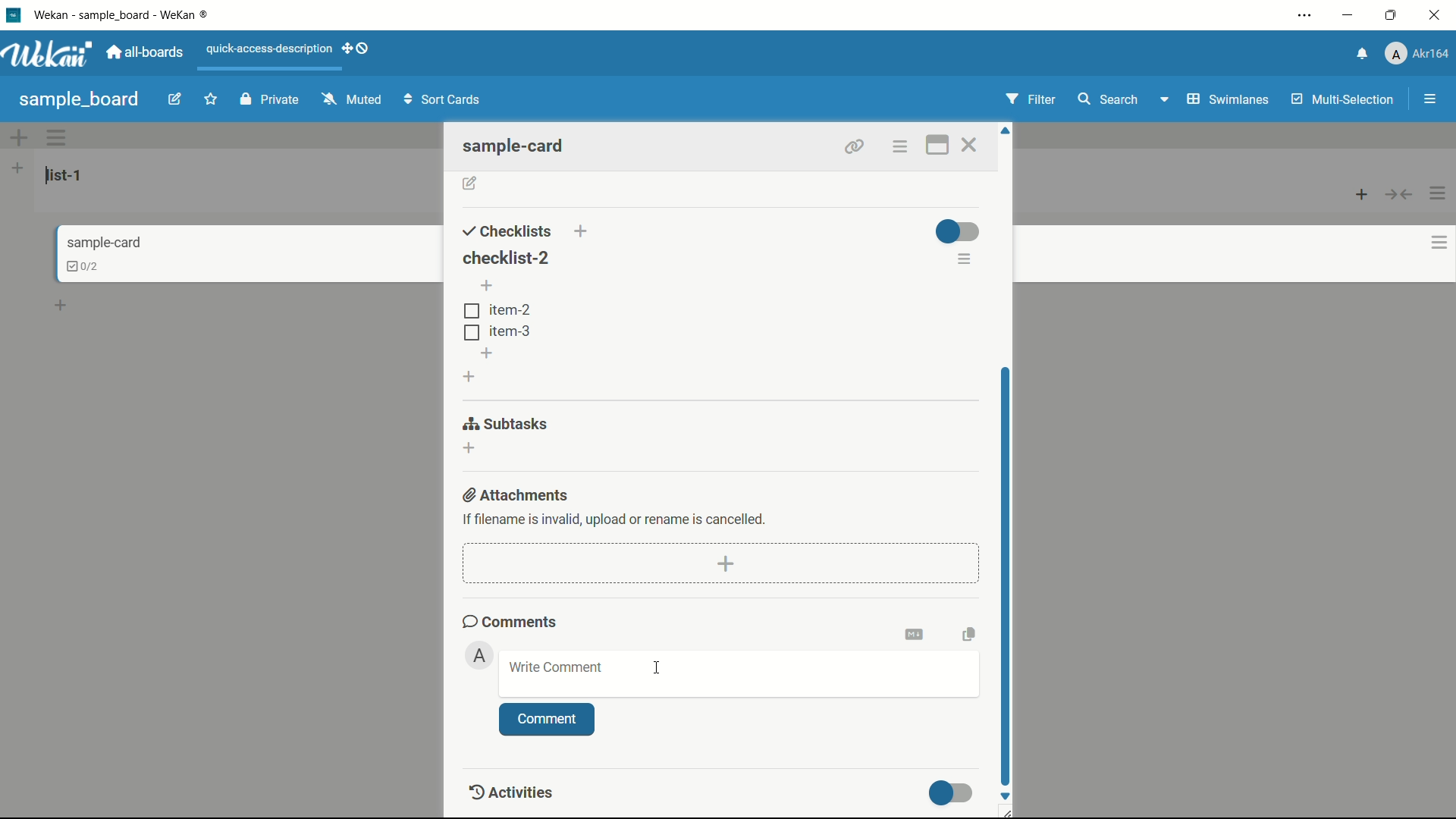 The image size is (1456, 819). What do you see at coordinates (523, 792) in the screenshot?
I see `Activities` at bounding box center [523, 792].